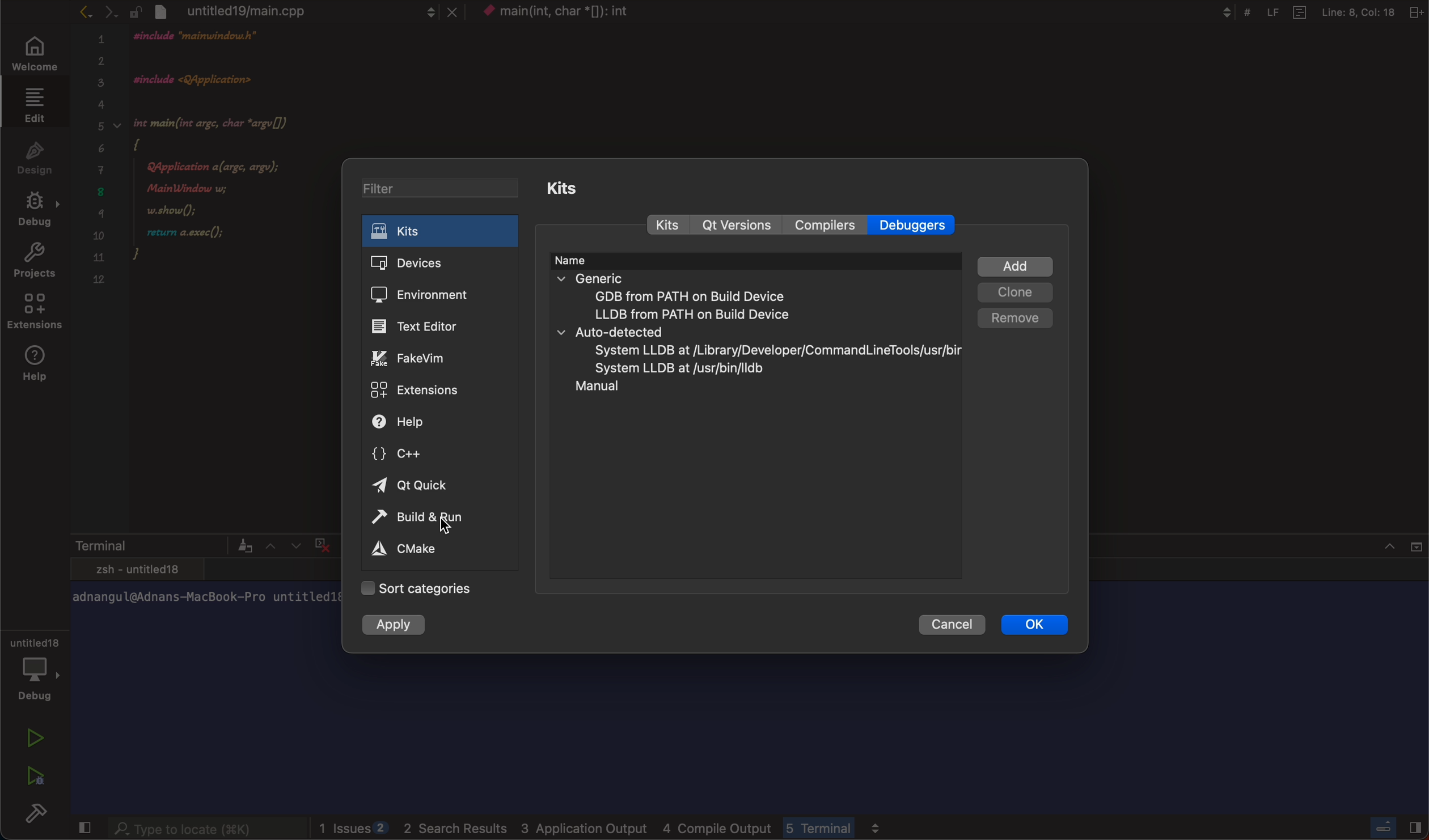  Describe the element at coordinates (432, 264) in the screenshot. I see `devices` at that location.